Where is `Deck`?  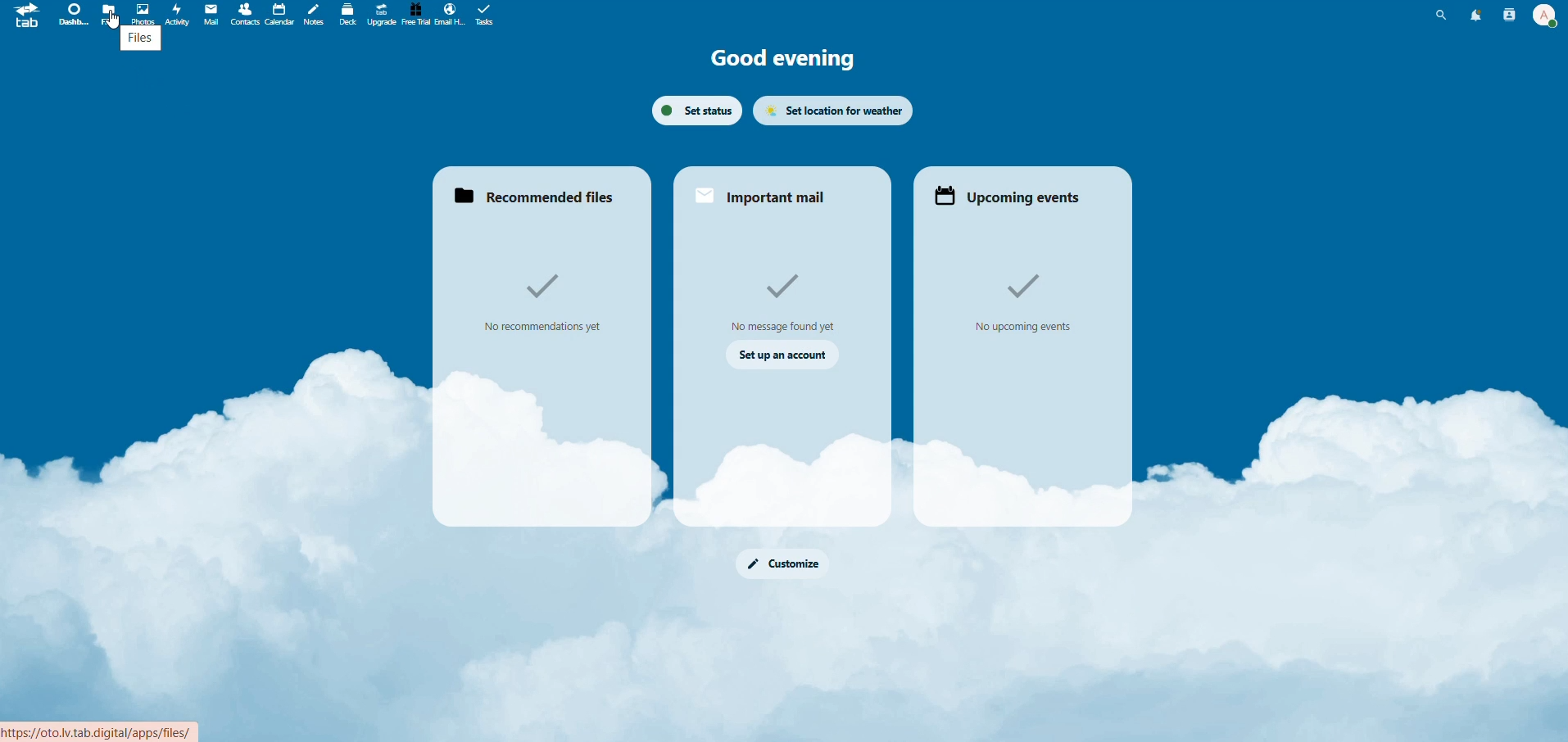
Deck is located at coordinates (344, 14).